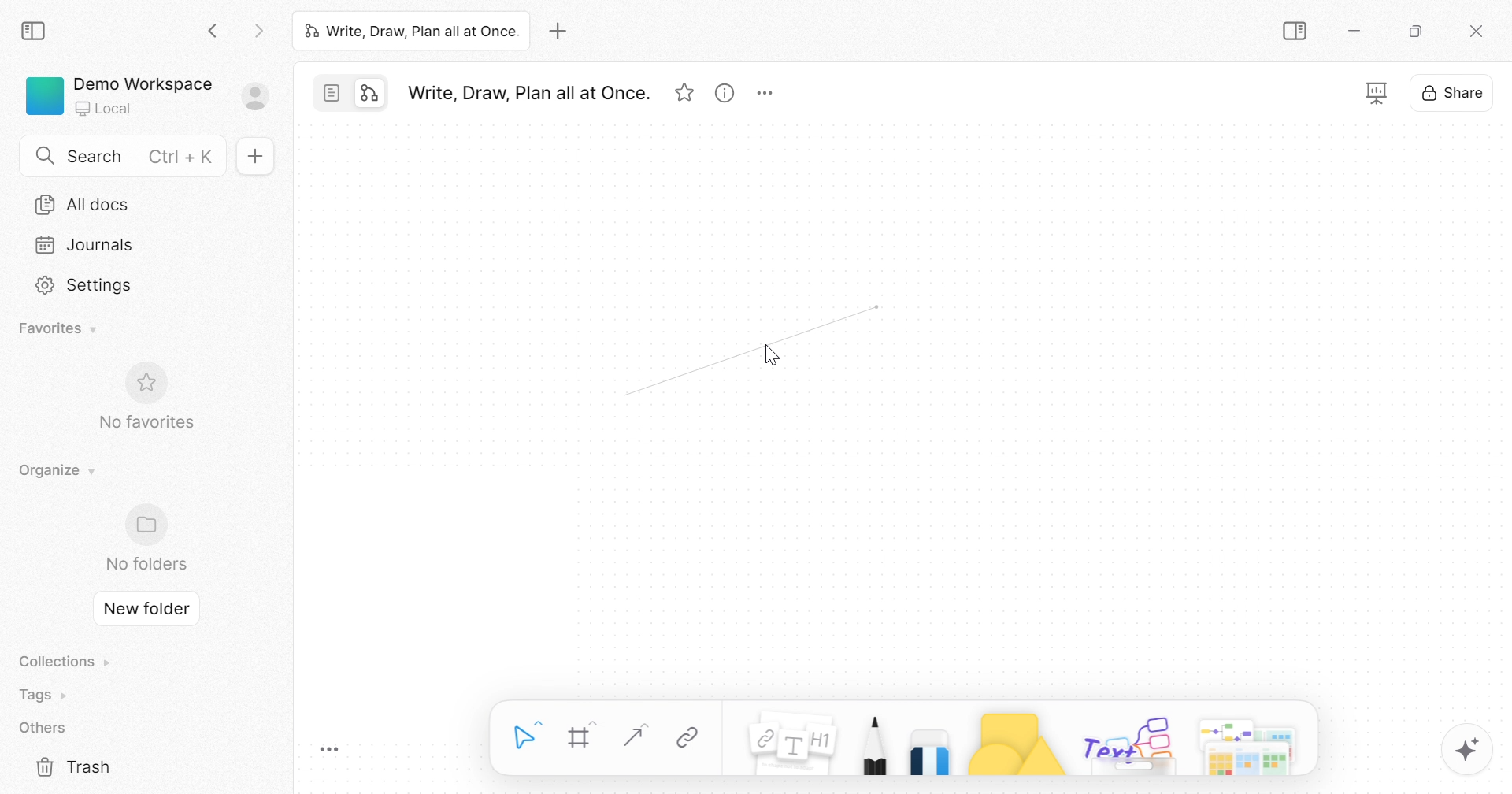 Image resolution: width=1512 pixels, height=794 pixels. I want to click on Back, so click(213, 33).